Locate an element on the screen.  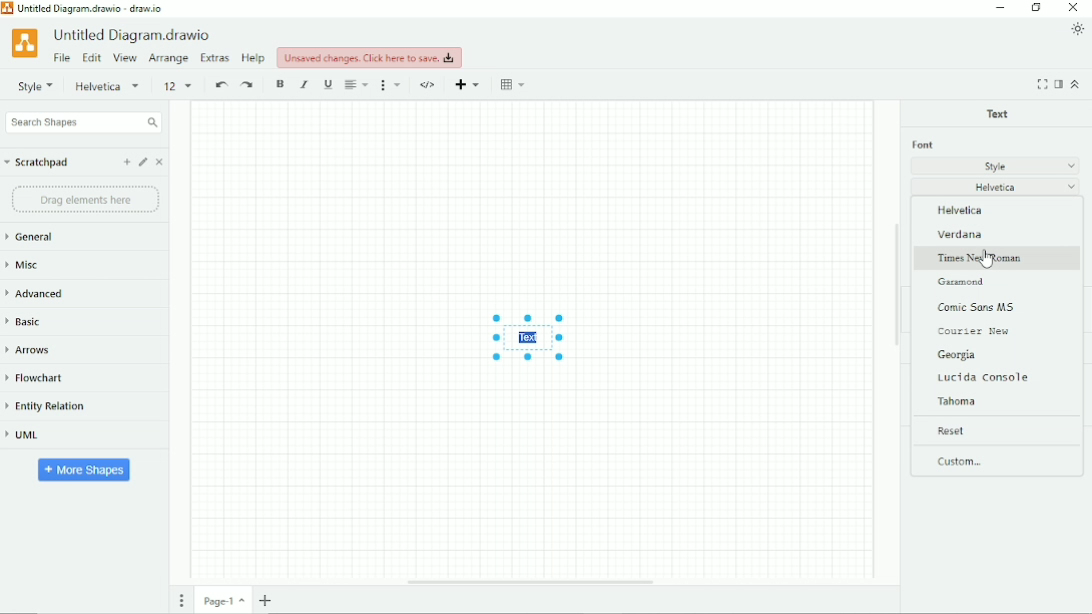
Font size is located at coordinates (179, 87).